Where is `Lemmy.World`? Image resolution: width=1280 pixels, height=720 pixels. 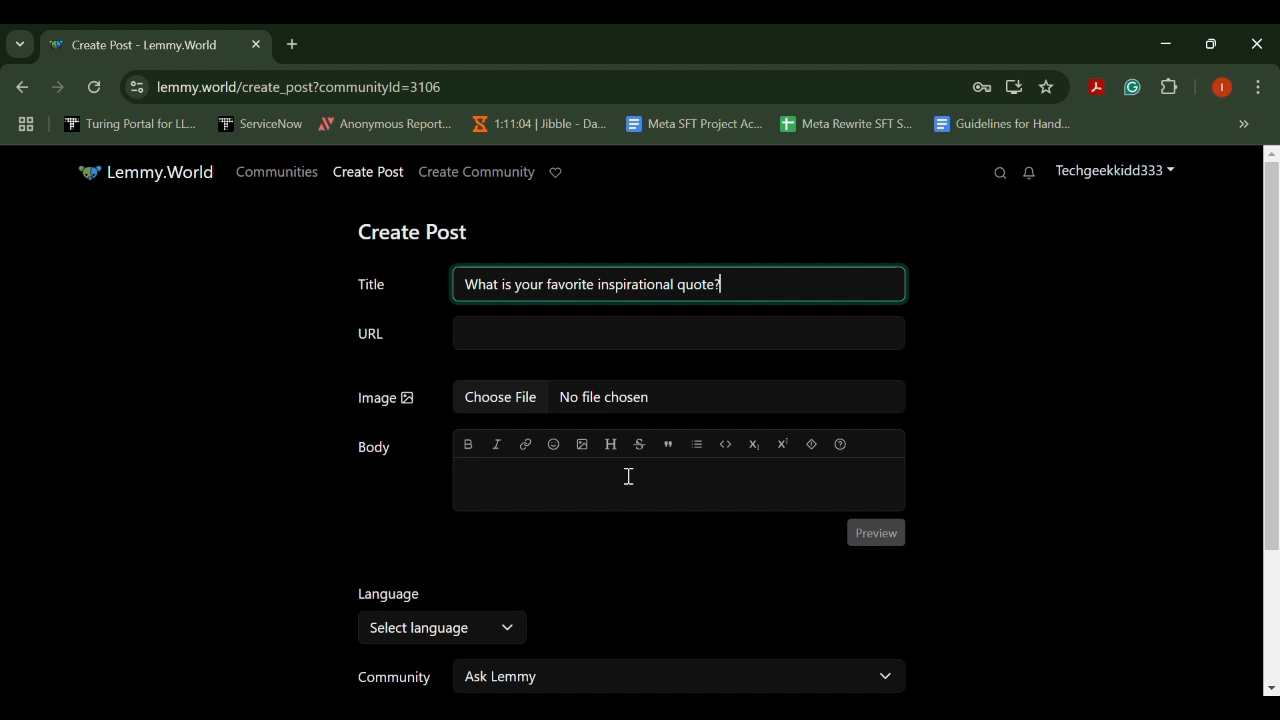
Lemmy.World is located at coordinates (146, 172).